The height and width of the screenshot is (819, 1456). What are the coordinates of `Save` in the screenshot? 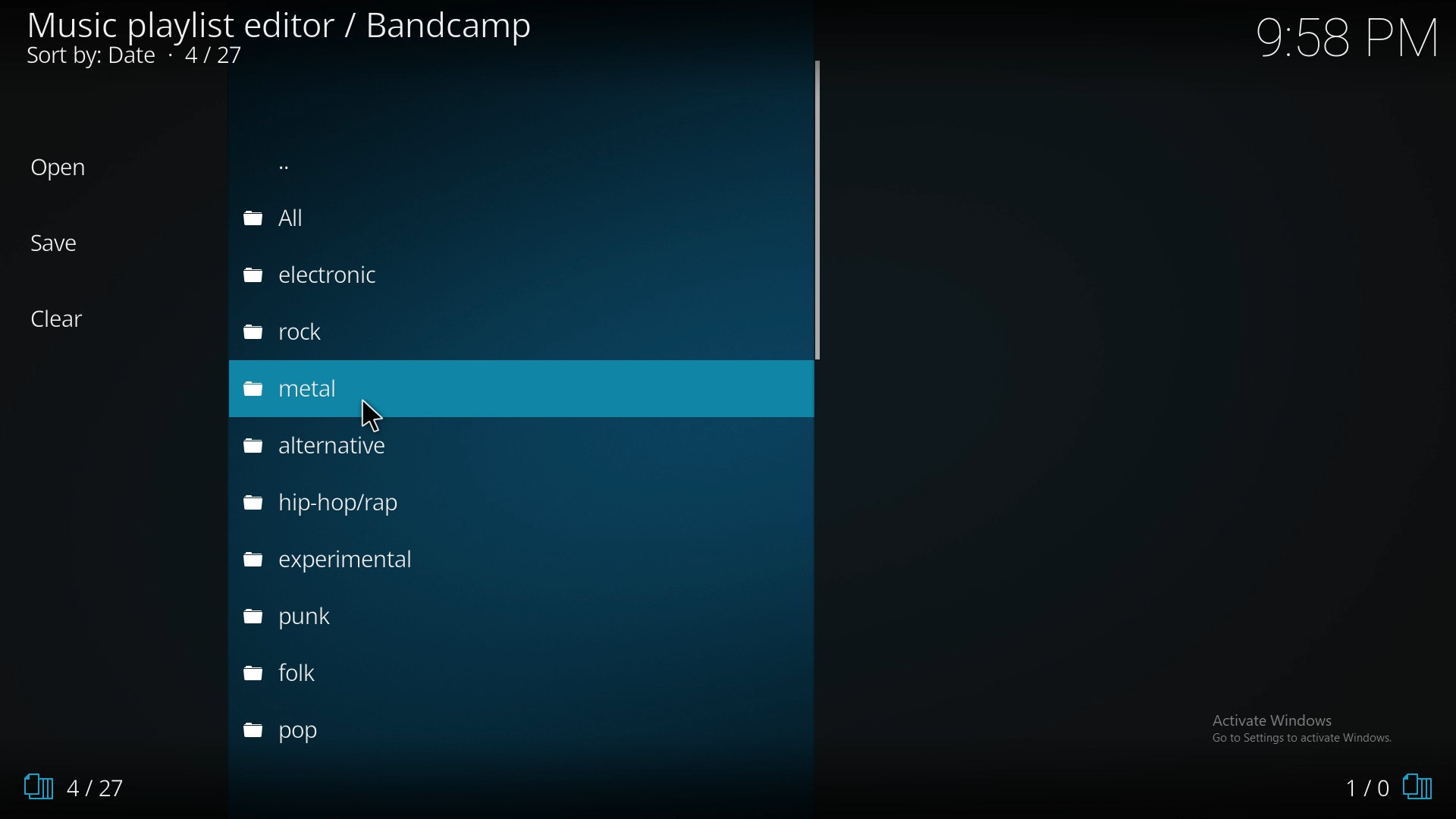 It's located at (57, 243).